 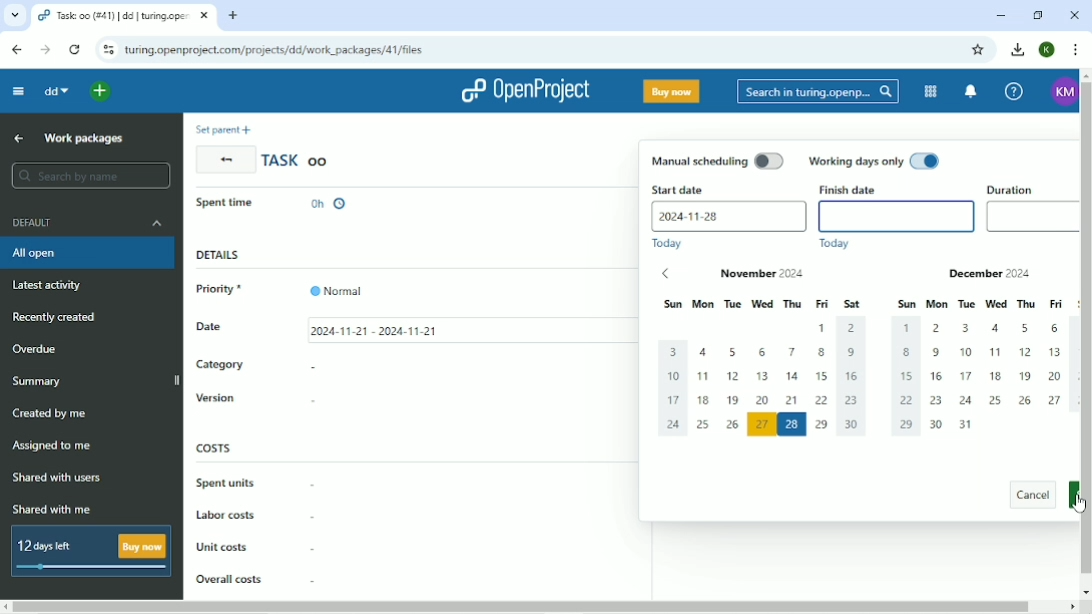 What do you see at coordinates (235, 207) in the screenshot?
I see `In progress` at bounding box center [235, 207].